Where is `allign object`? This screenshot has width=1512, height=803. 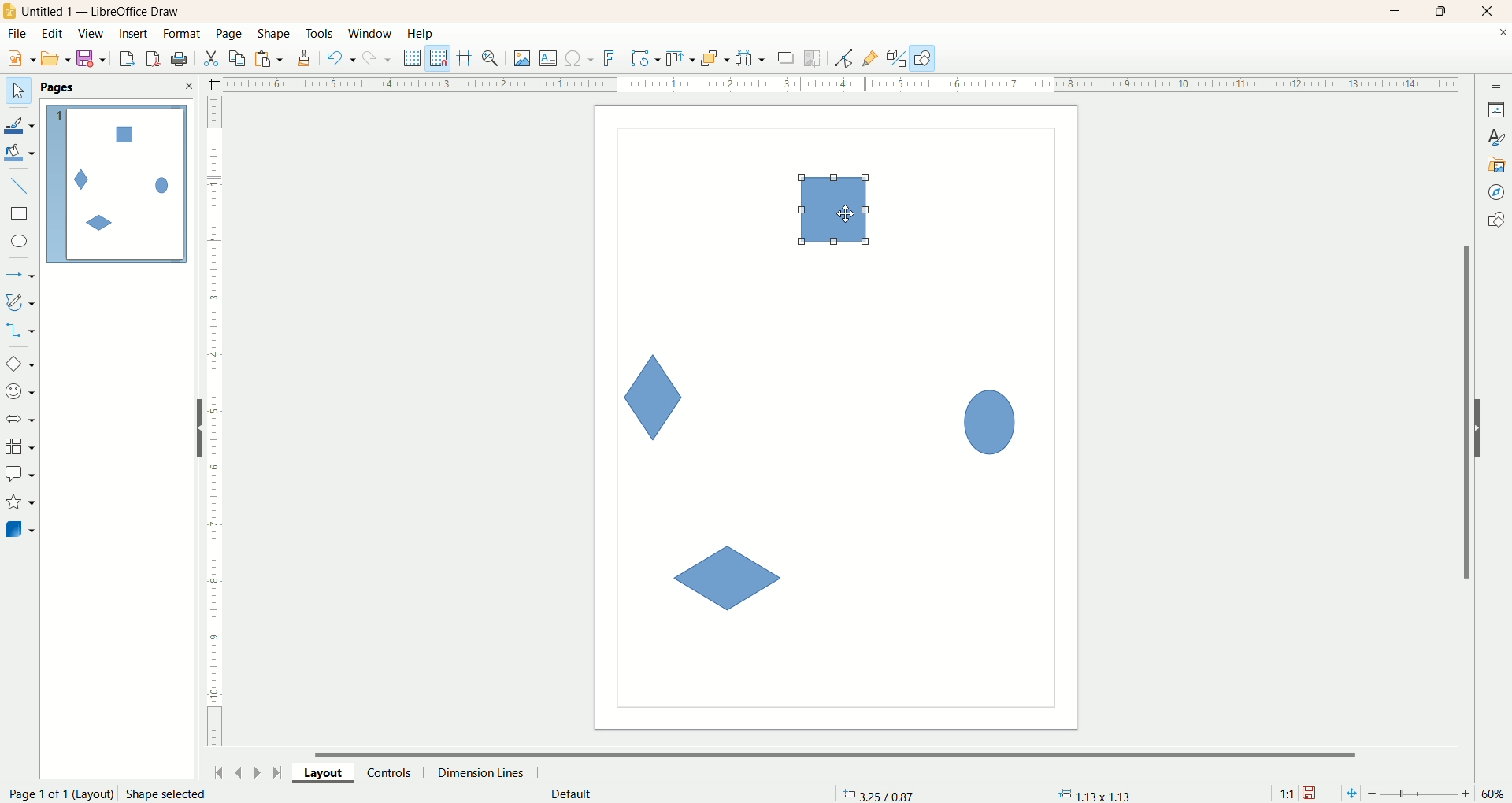 allign object is located at coordinates (681, 59).